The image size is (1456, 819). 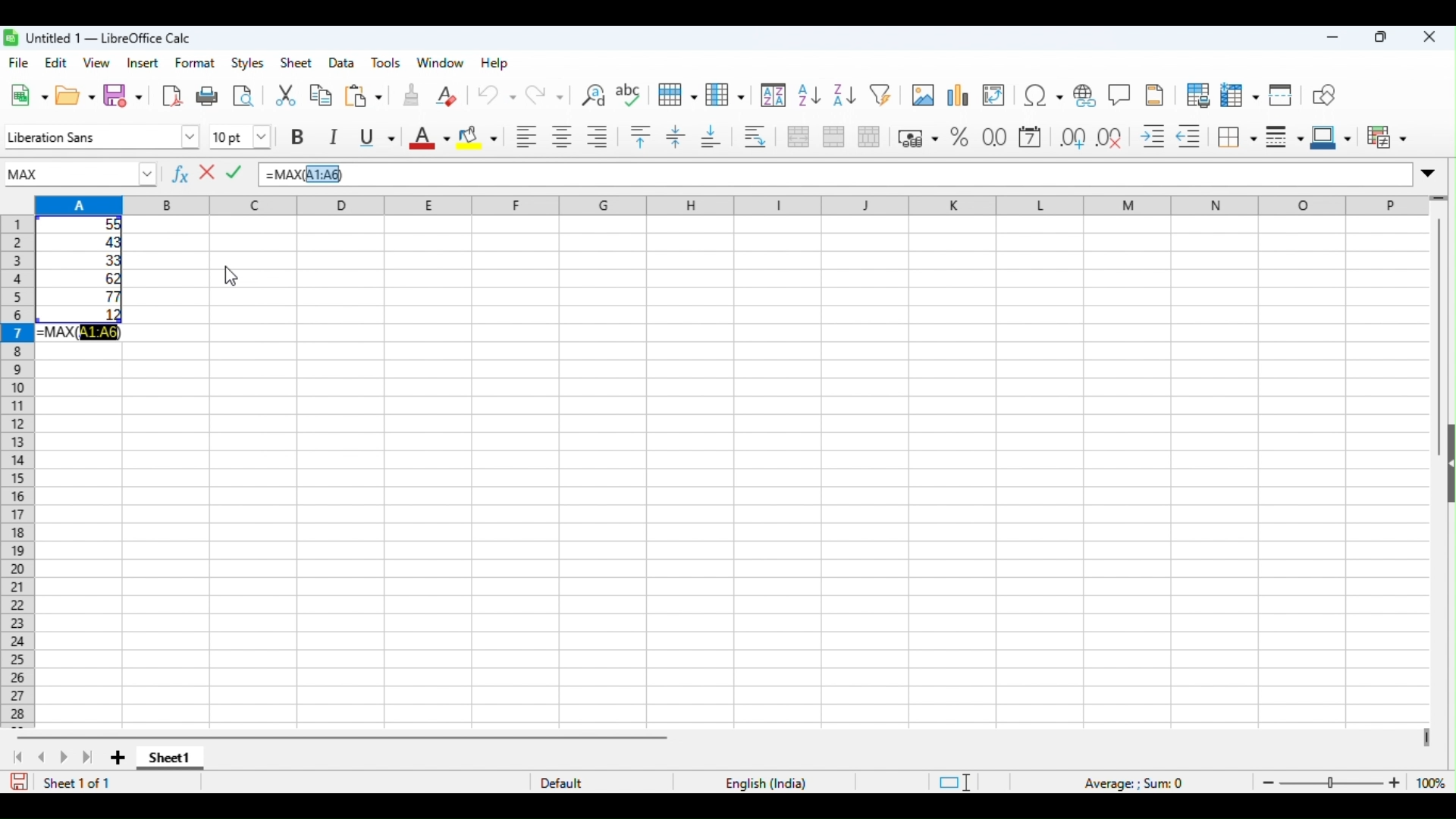 I want to click on cut, so click(x=285, y=97).